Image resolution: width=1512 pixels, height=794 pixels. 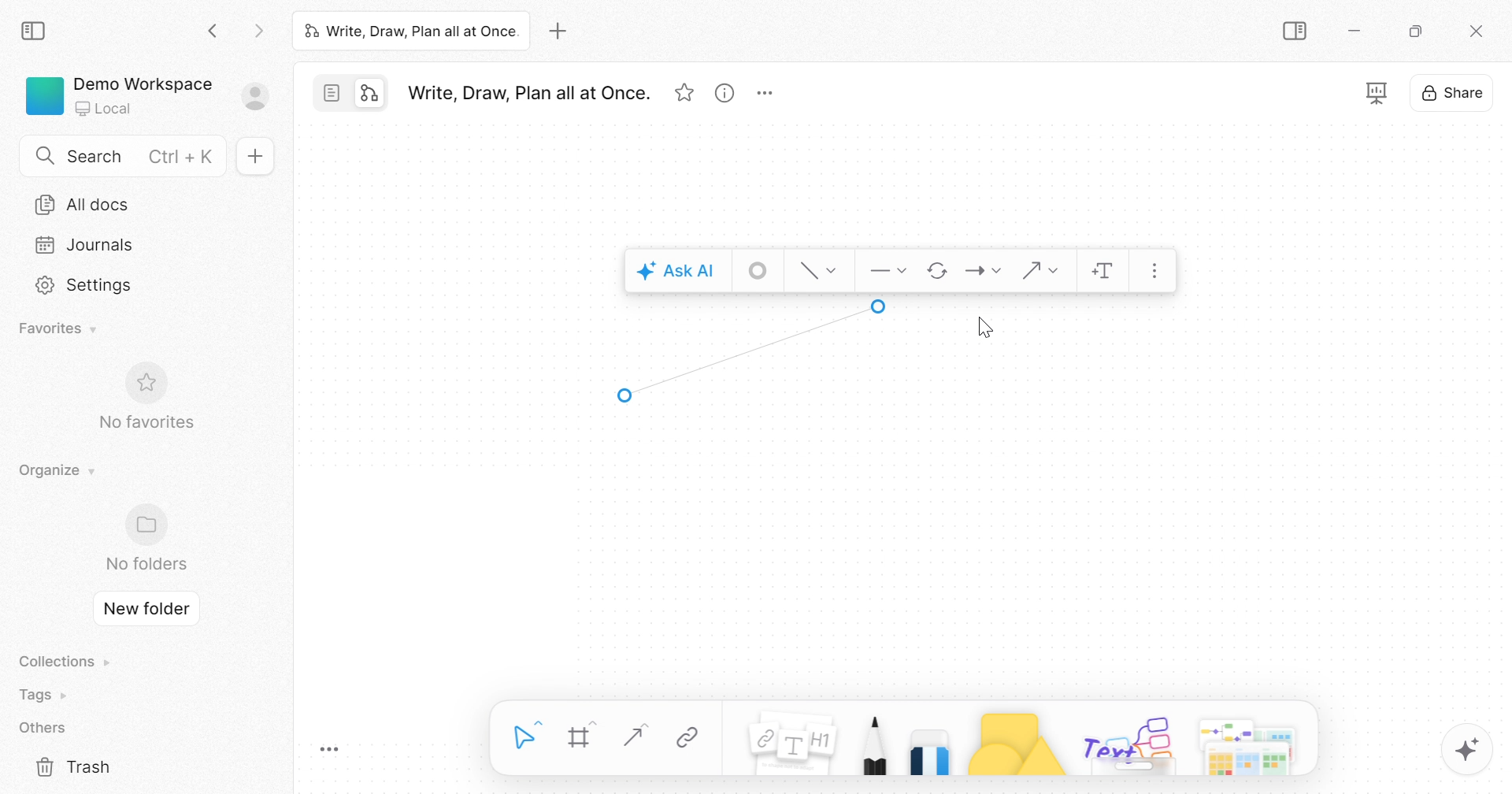 I want to click on Favorite icon, so click(x=150, y=383).